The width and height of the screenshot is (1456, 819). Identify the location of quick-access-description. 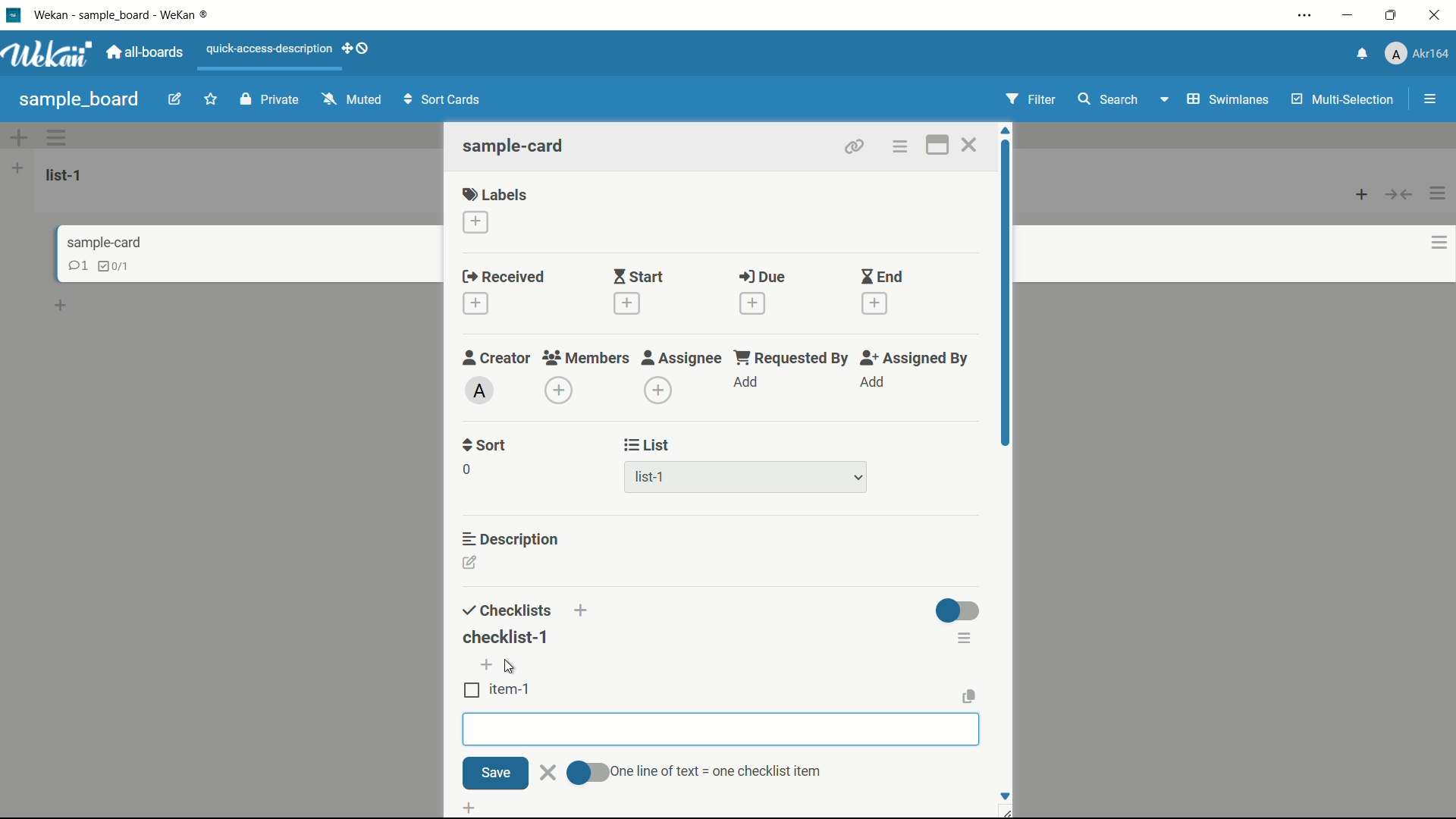
(266, 48).